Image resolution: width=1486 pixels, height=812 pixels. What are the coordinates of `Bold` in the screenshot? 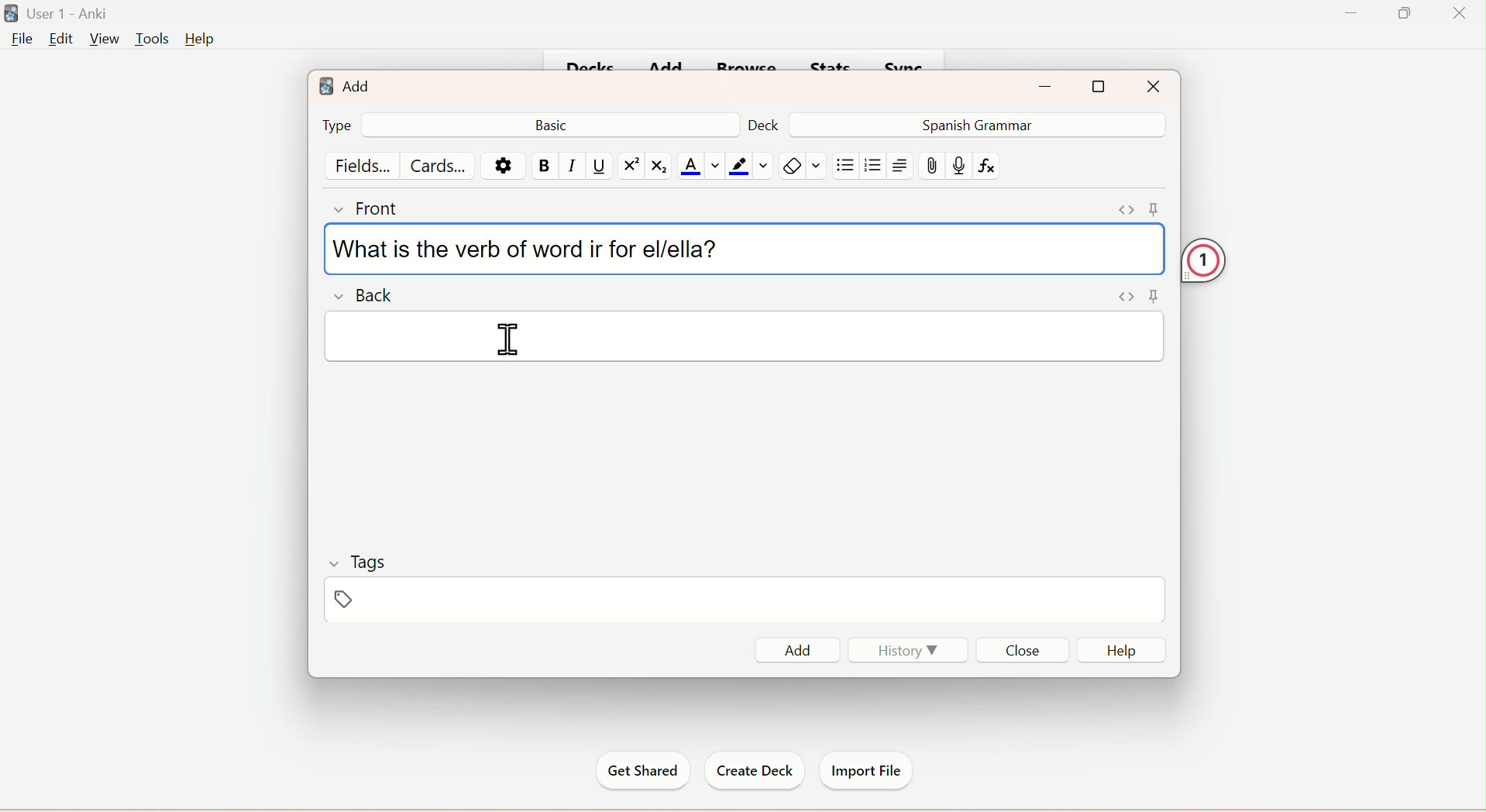 It's located at (545, 166).